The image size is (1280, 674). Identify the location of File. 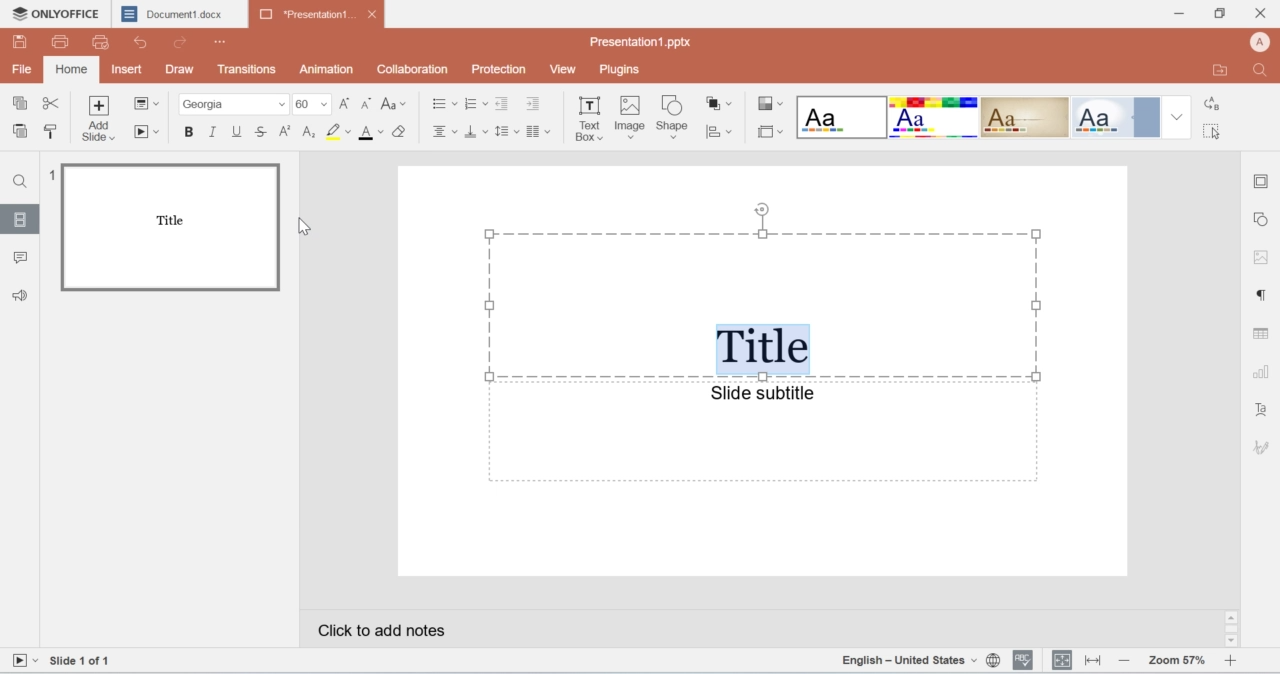
(21, 68).